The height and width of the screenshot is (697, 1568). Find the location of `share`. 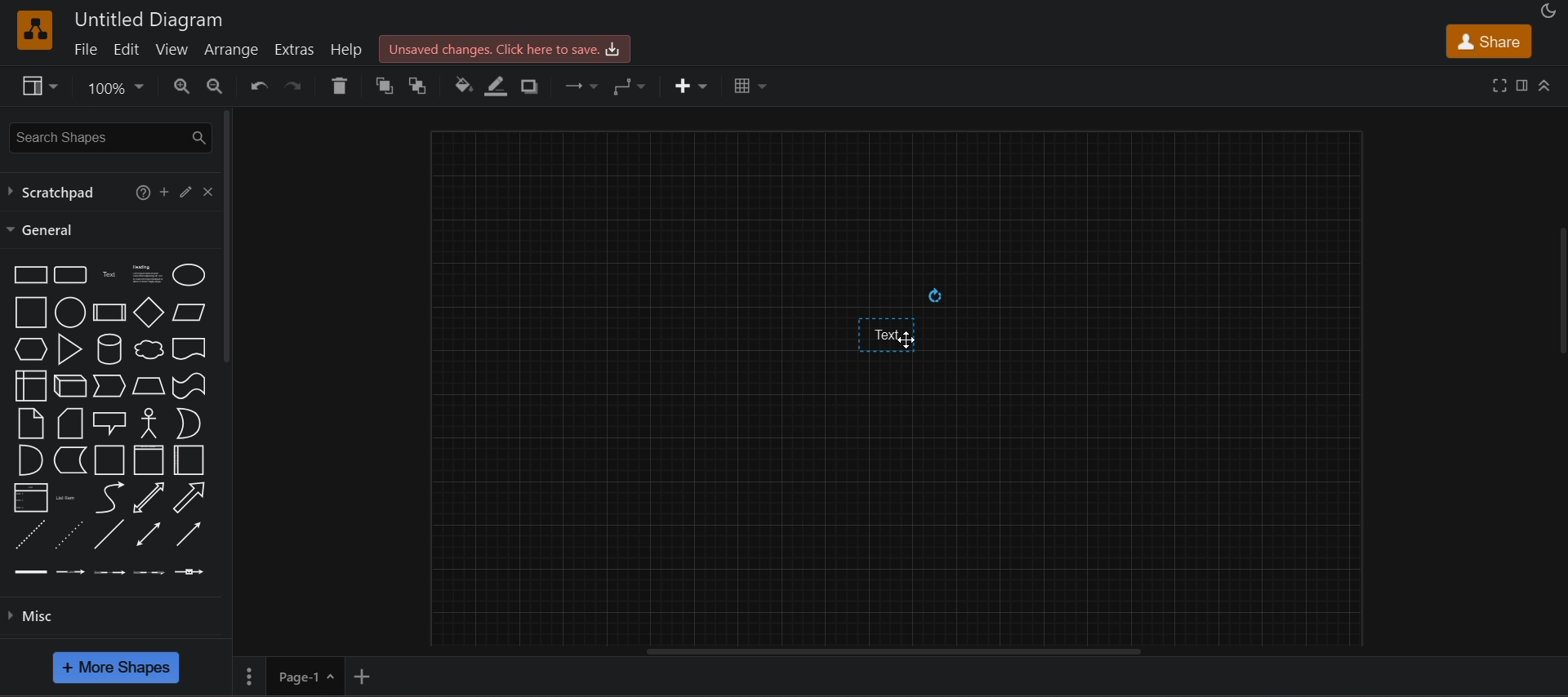

share is located at coordinates (1490, 41).